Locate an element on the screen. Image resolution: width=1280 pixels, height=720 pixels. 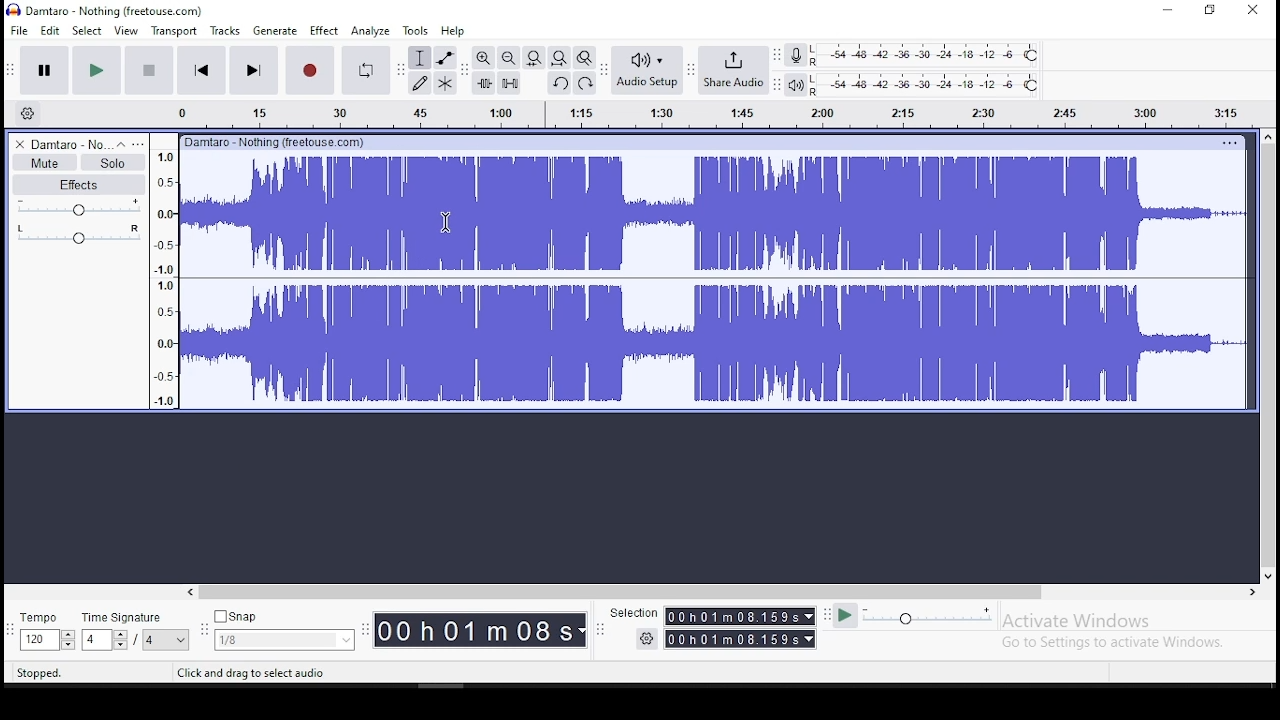
Horizontal scrollbar is located at coordinates (708, 593).